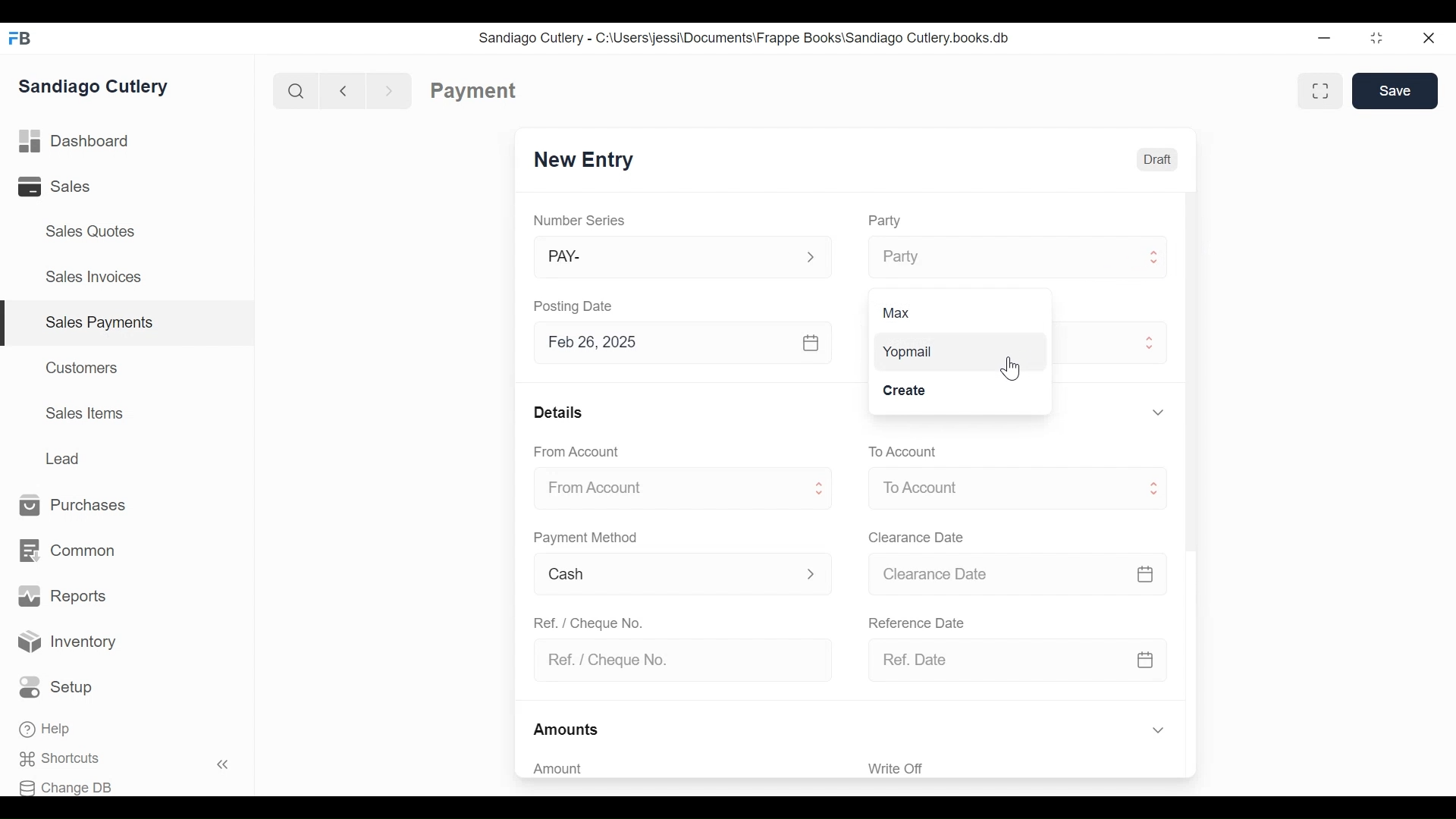 The height and width of the screenshot is (819, 1456). I want to click on Shortcuts, so click(69, 759).